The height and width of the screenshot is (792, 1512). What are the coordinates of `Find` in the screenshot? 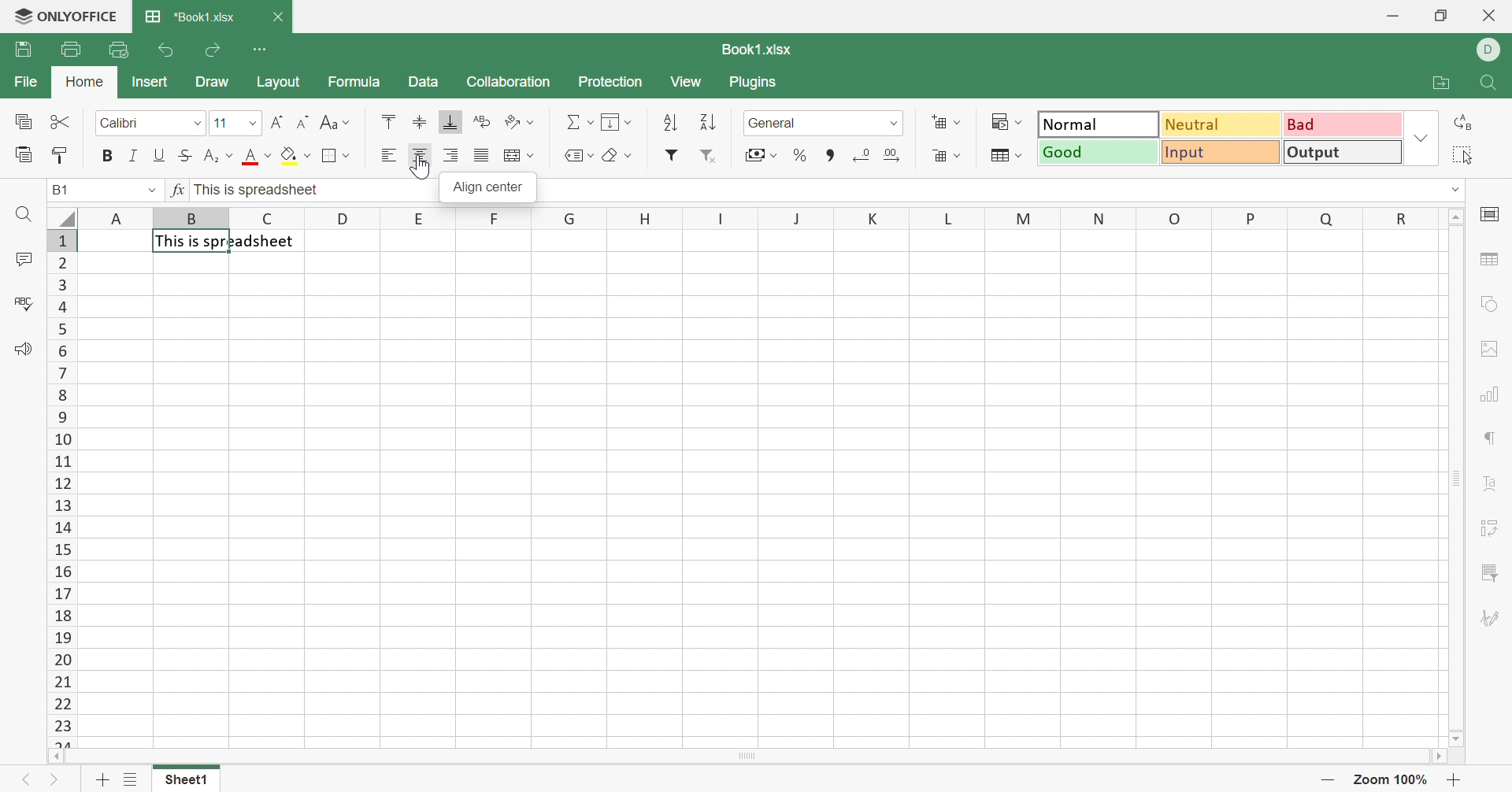 It's located at (22, 214).